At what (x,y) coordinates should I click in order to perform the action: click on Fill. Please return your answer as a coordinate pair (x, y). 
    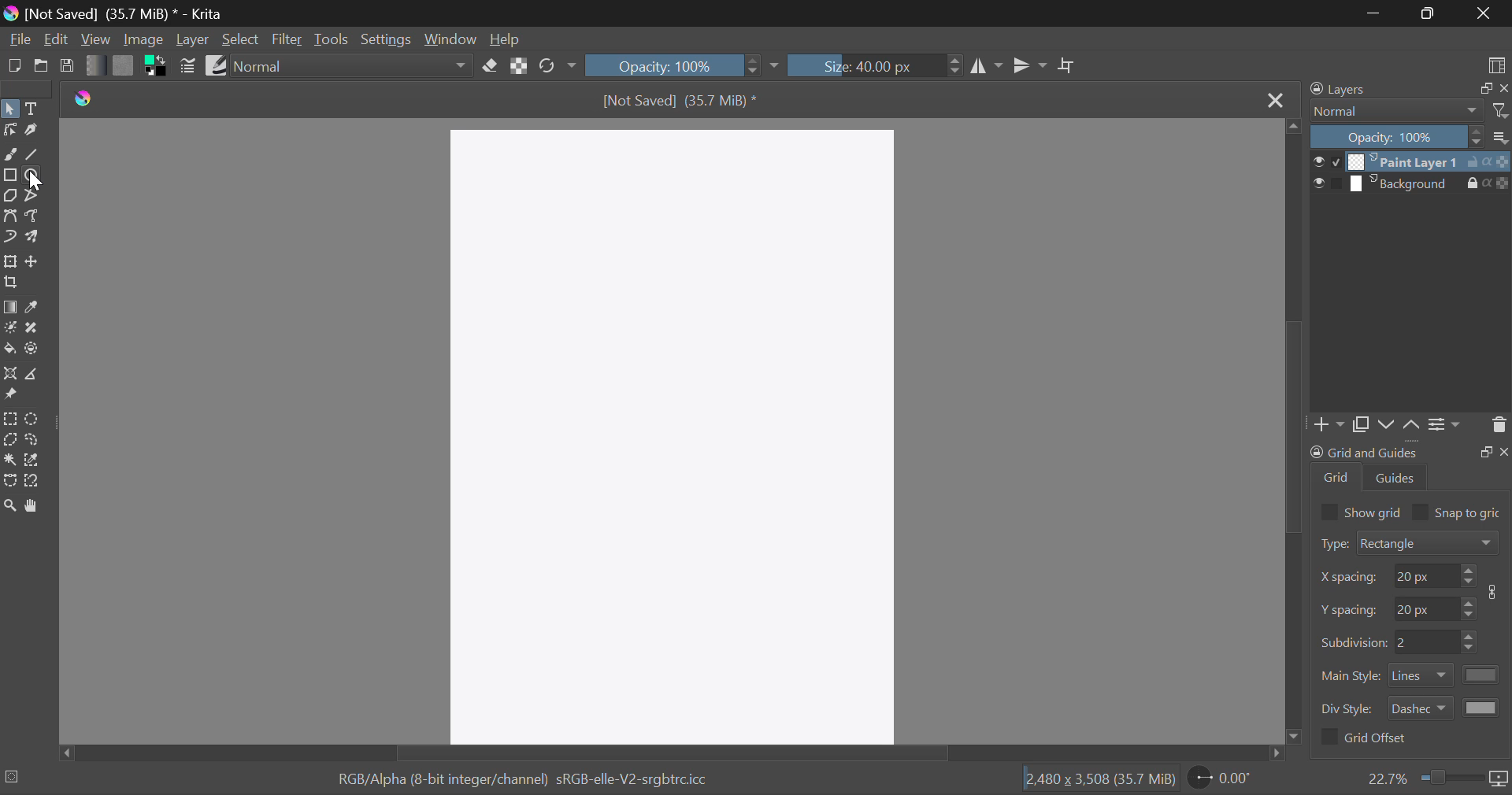
    Looking at the image, I should click on (9, 349).